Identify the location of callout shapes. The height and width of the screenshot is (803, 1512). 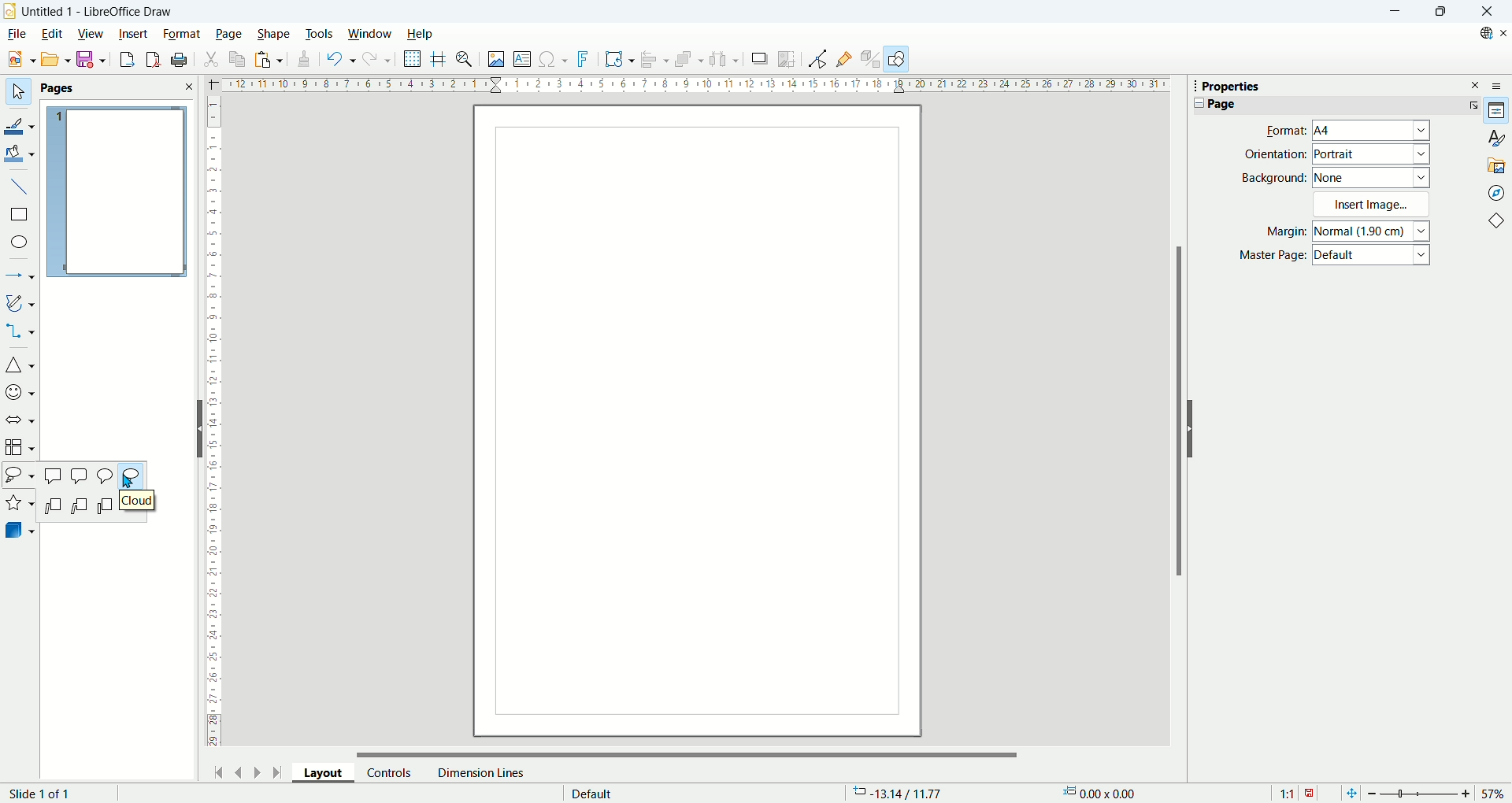
(19, 477).